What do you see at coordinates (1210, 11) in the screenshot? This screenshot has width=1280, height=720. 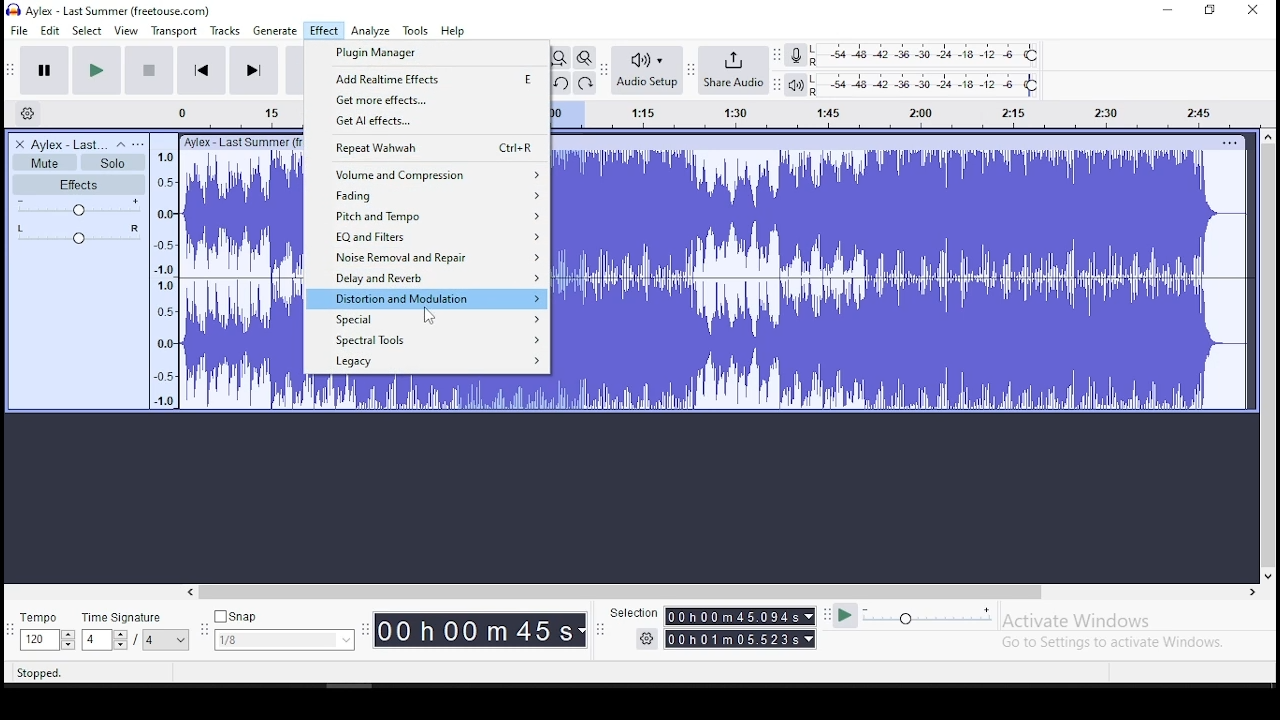 I see `restore` at bounding box center [1210, 11].